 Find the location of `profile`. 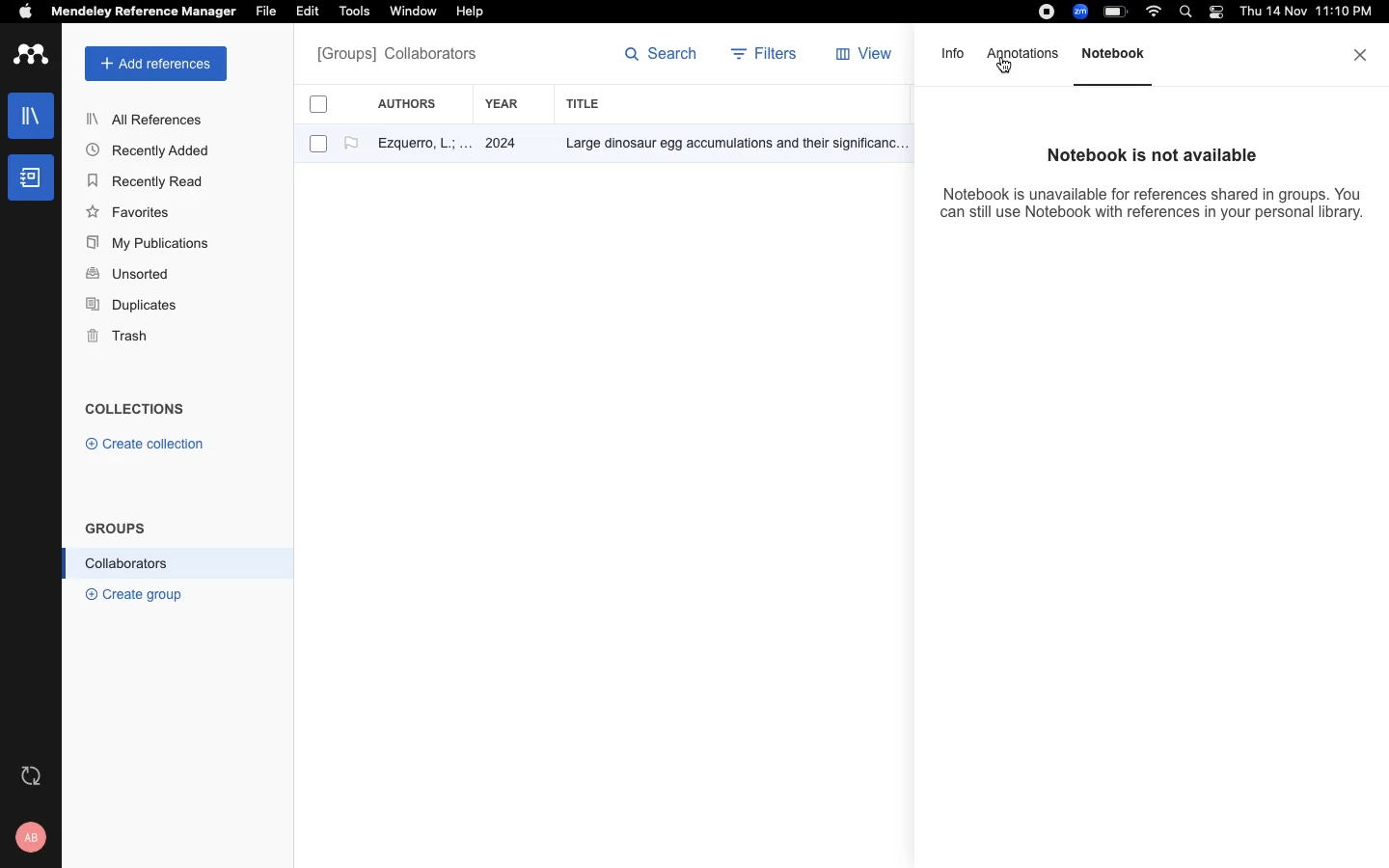

profile is located at coordinates (34, 837).